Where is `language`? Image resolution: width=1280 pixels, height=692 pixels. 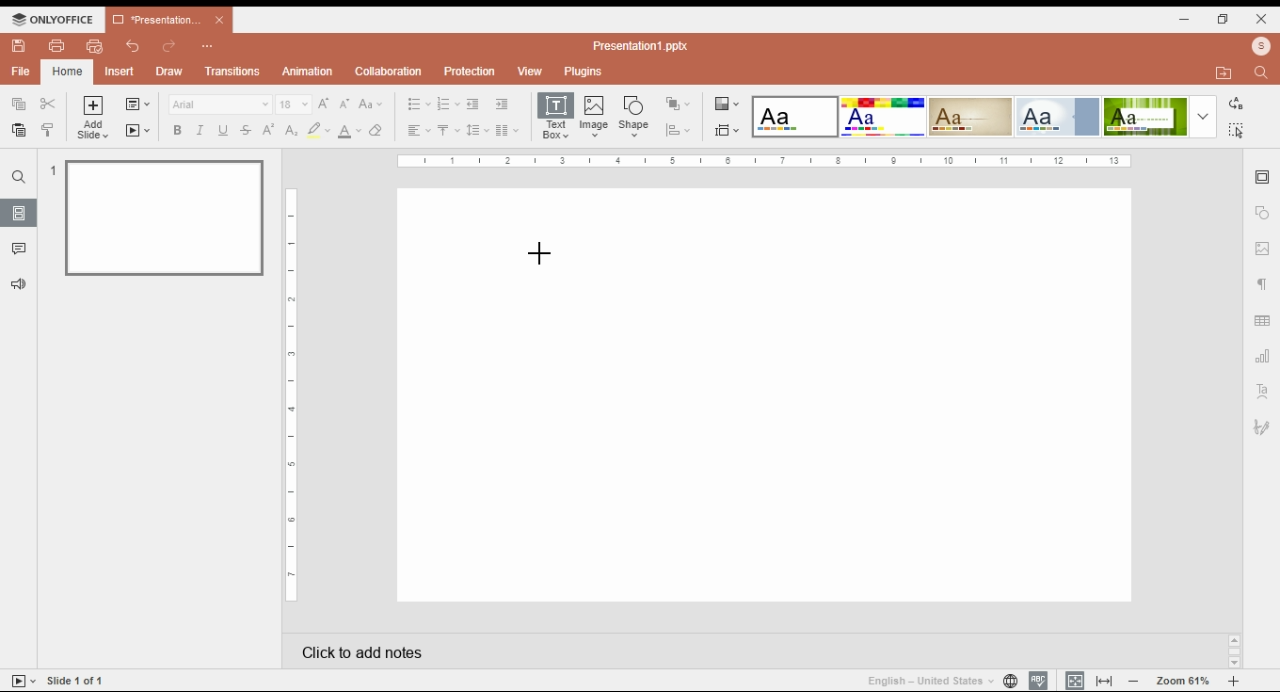 language is located at coordinates (928, 681).